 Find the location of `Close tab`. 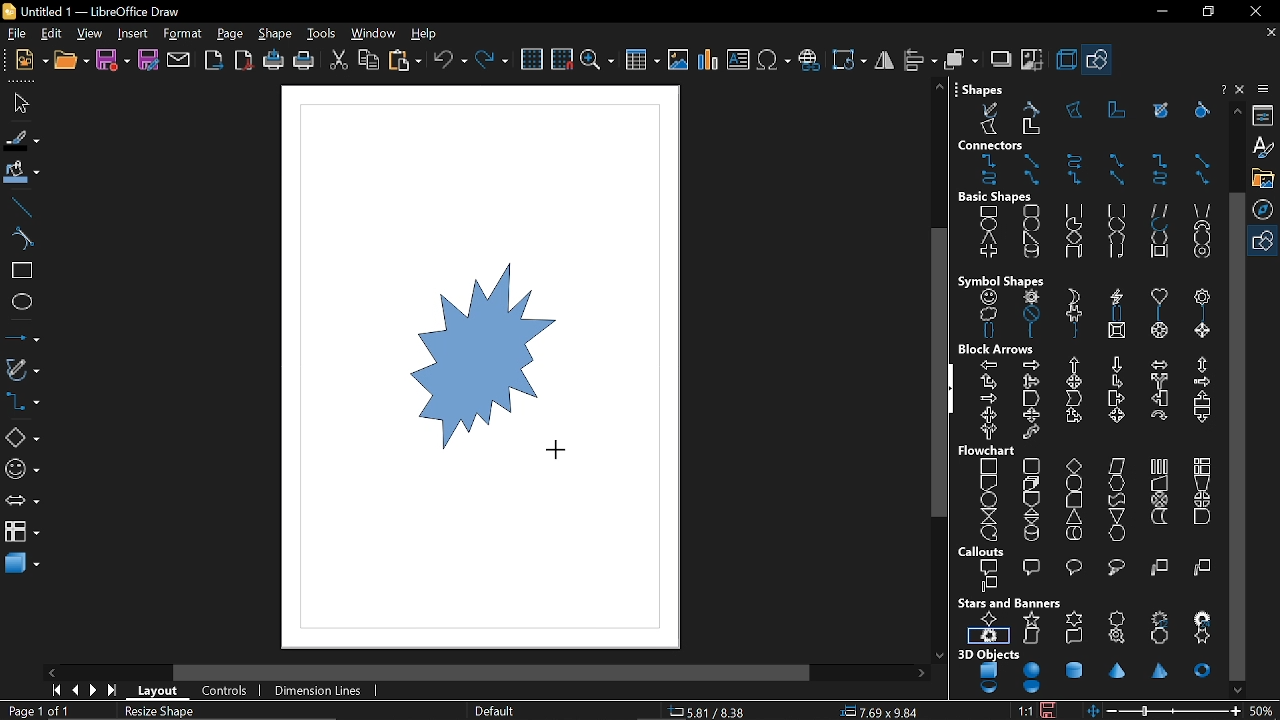

Close tab is located at coordinates (1269, 31).